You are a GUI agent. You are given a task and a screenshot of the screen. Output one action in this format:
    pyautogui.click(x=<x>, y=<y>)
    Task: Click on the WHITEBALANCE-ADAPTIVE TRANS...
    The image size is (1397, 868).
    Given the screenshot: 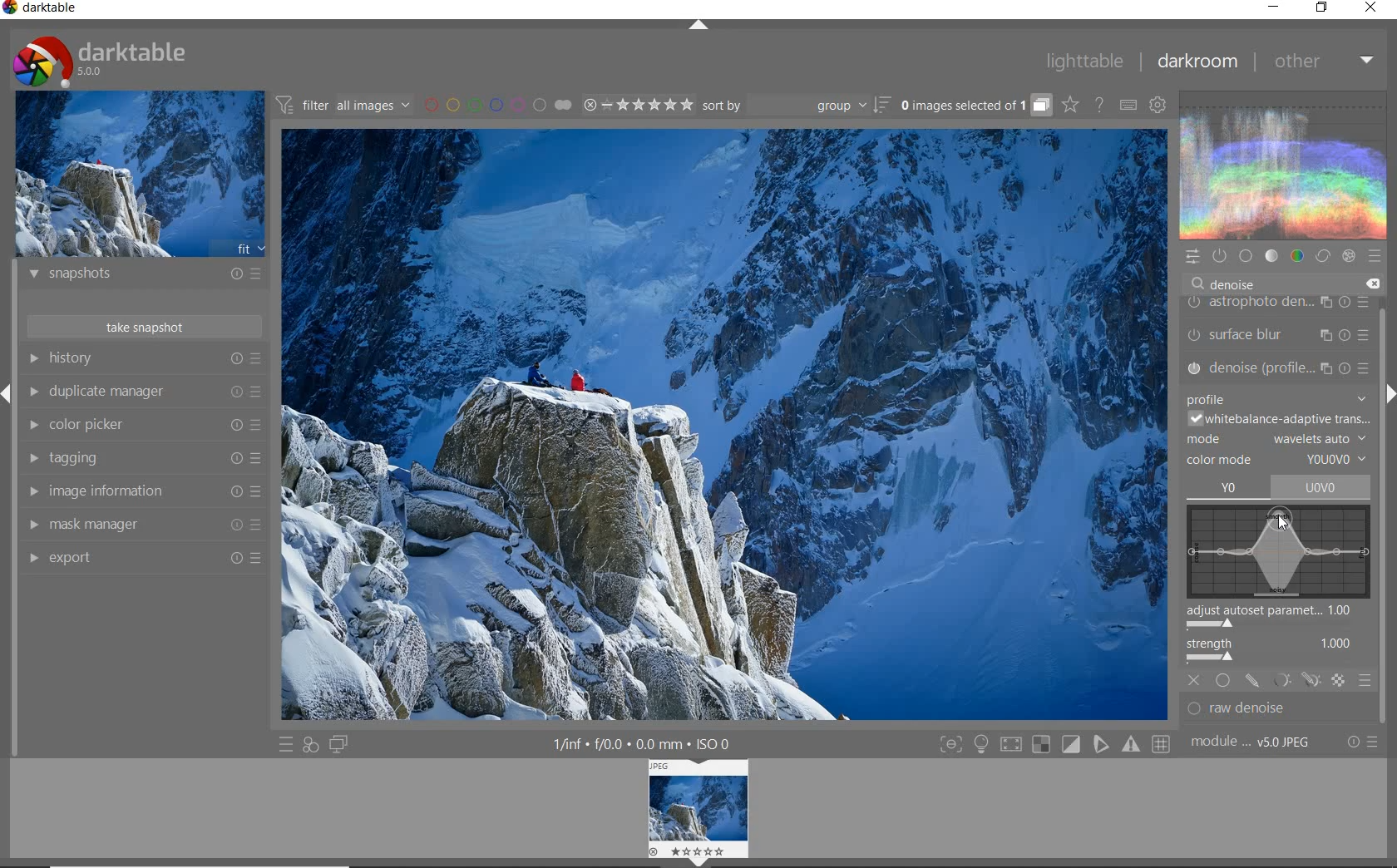 What is the action you would take?
    pyautogui.click(x=1279, y=417)
    